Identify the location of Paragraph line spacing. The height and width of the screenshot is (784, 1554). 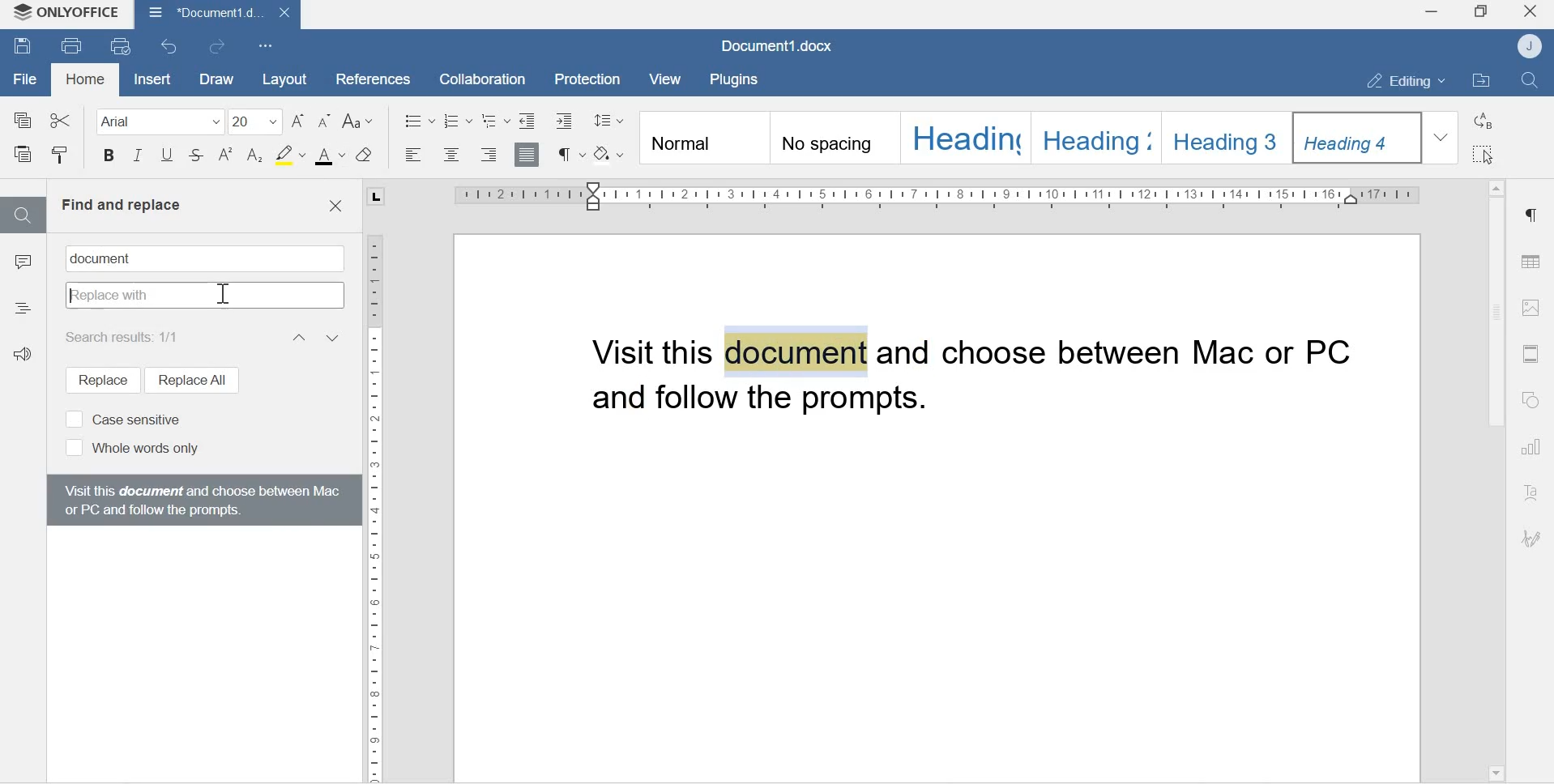
(608, 117).